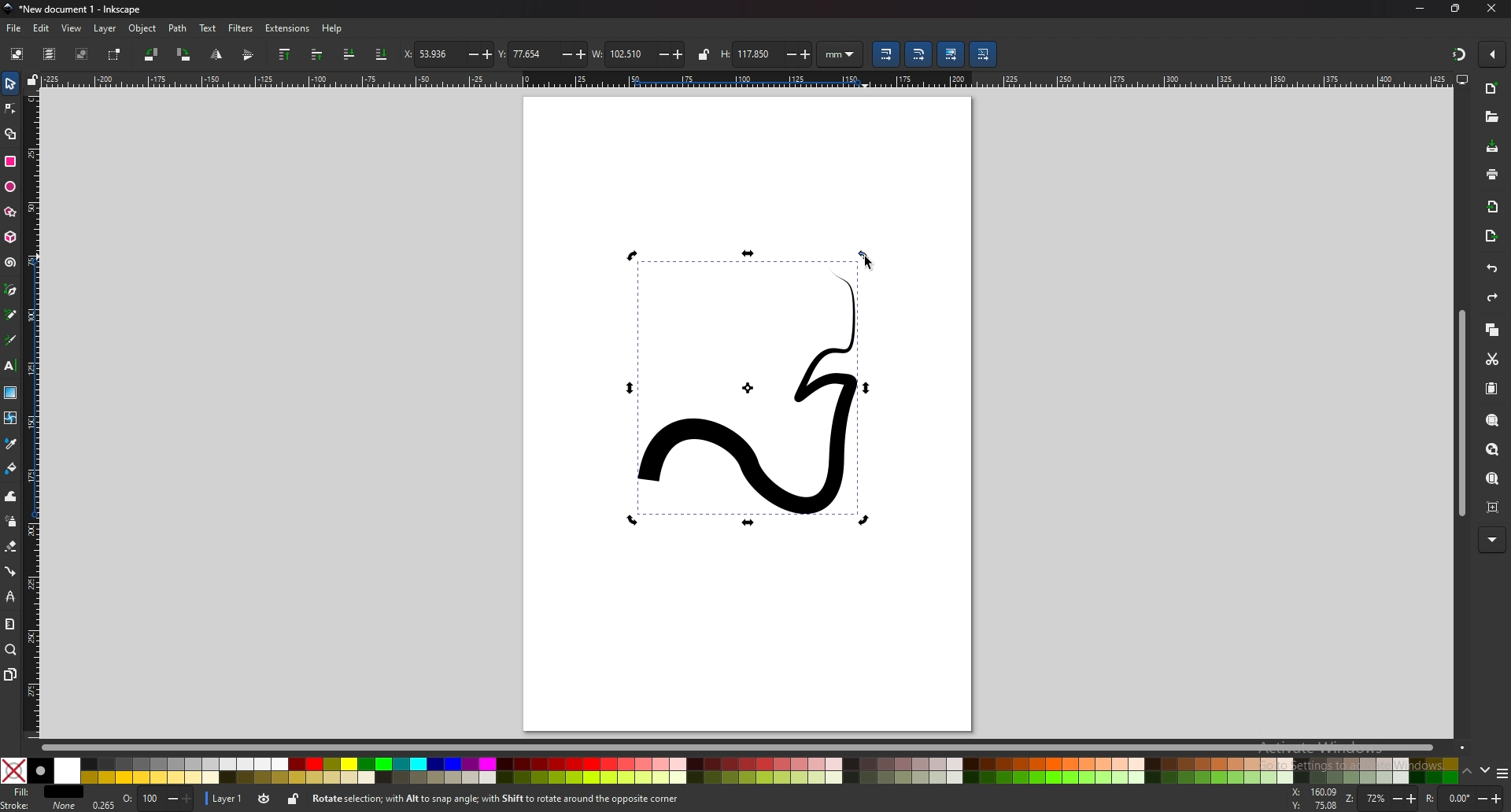  I want to click on flip vertically, so click(216, 55).